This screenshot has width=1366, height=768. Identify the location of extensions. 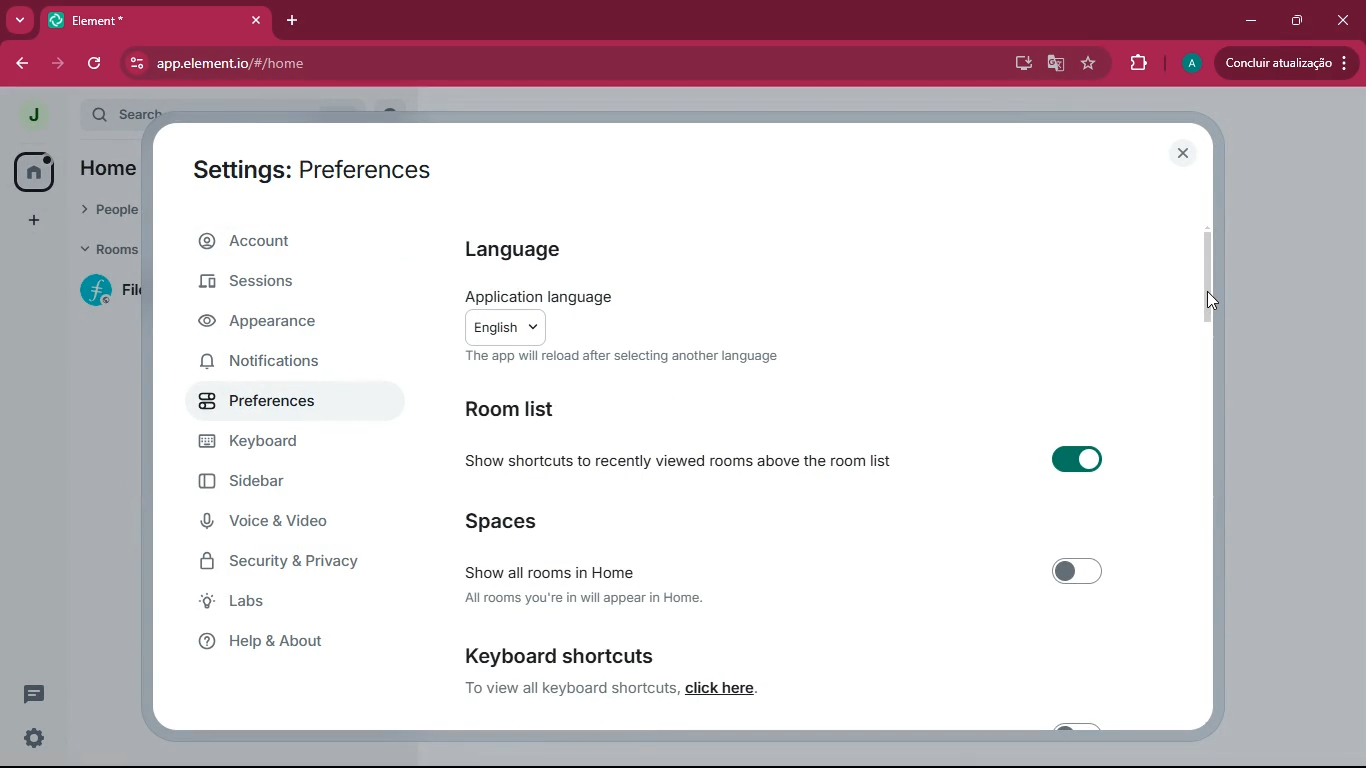
(1140, 63).